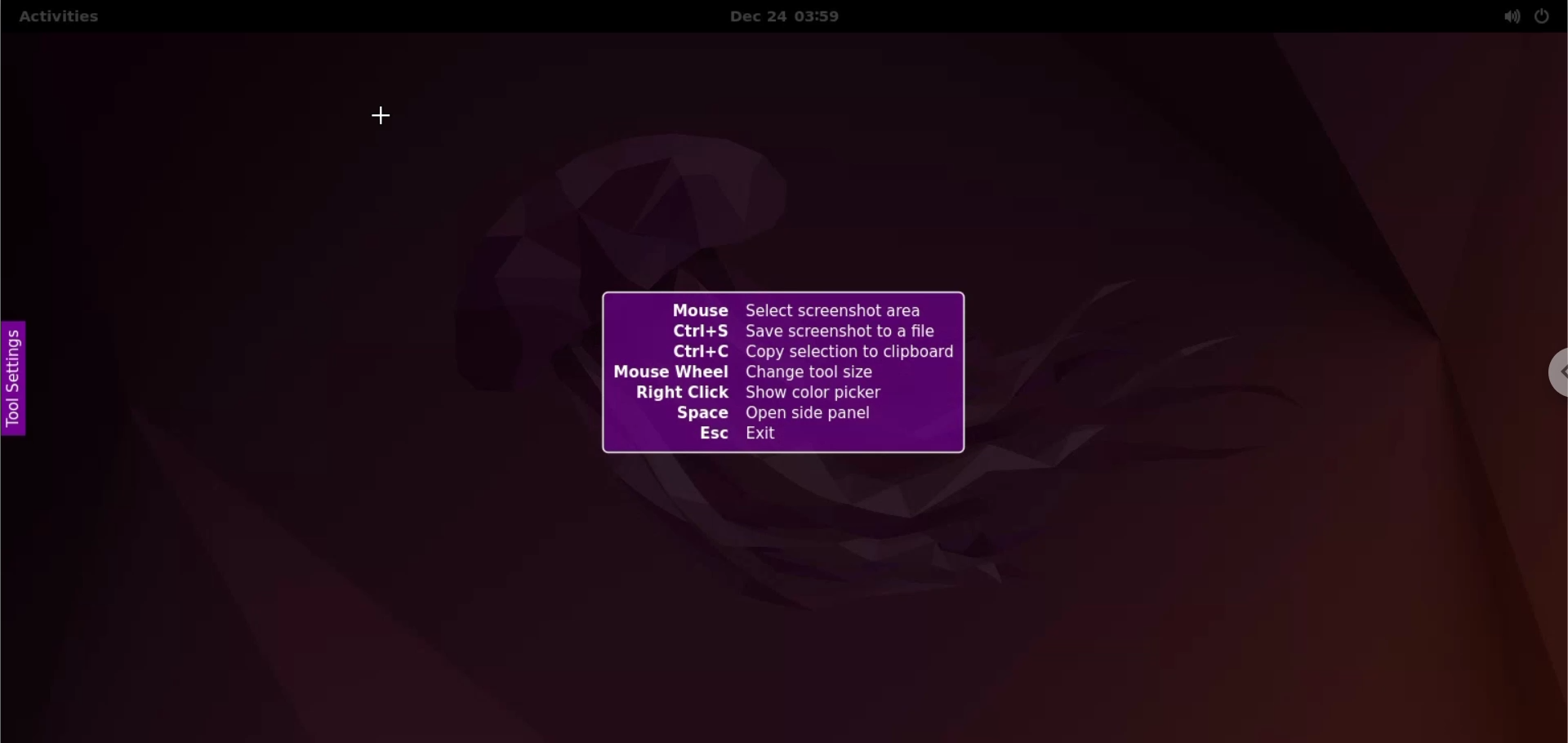 This screenshot has width=1568, height=743. What do you see at coordinates (379, 116) in the screenshot?
I see `cursor` at bounding box center [379, 116].